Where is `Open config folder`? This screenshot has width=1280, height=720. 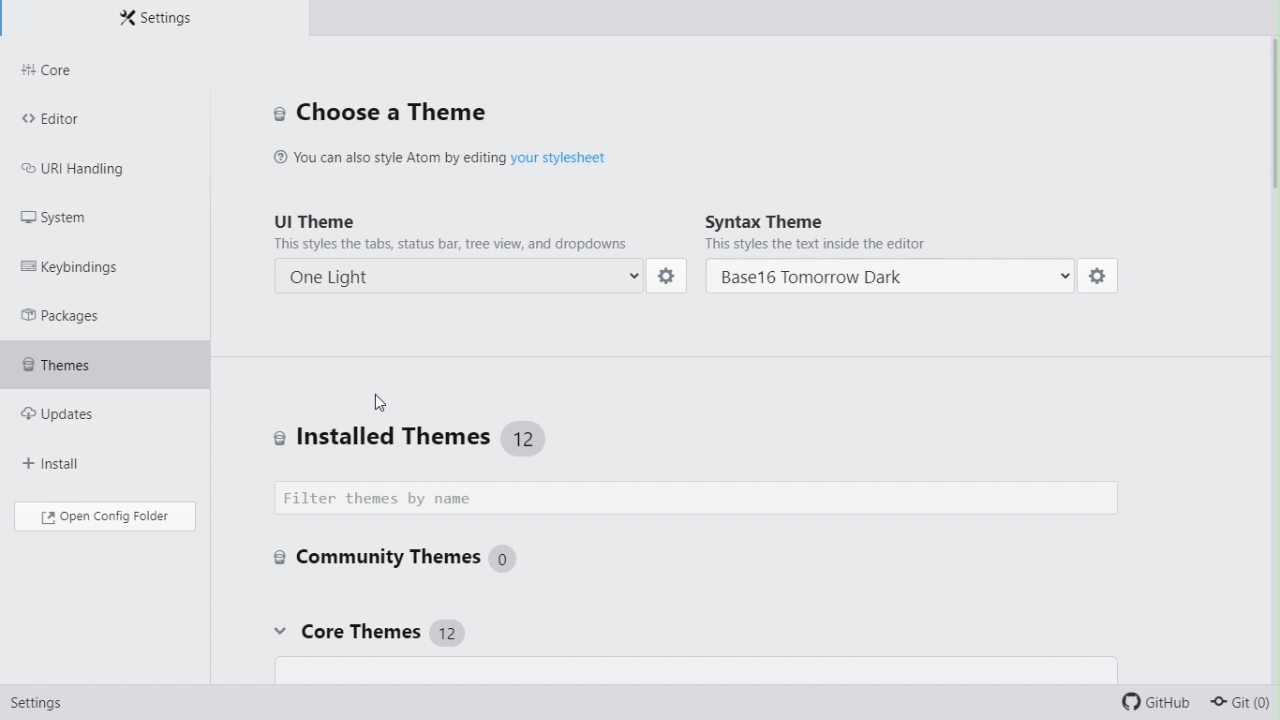 Open config folder is located at coordinates (109, 519).